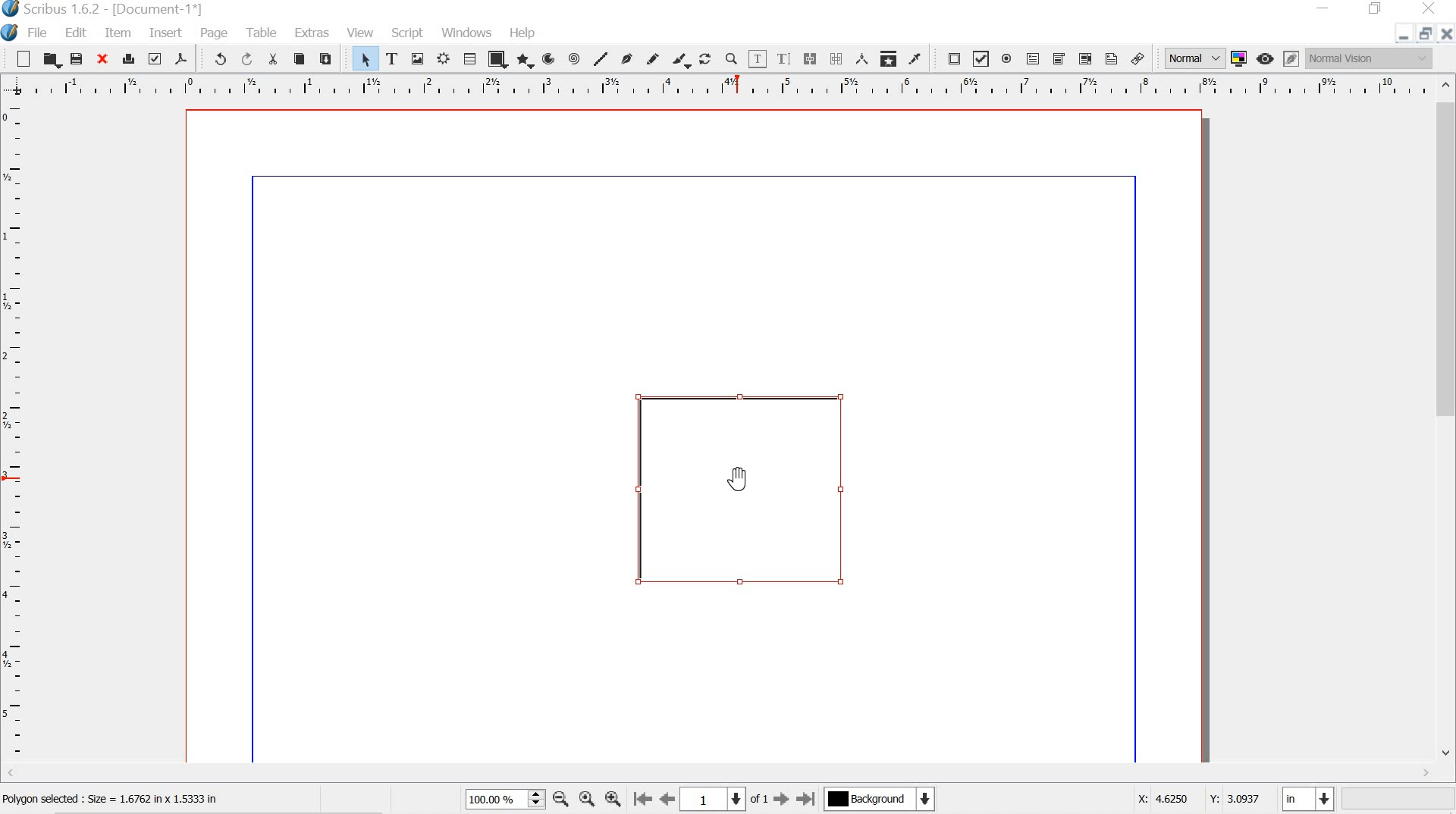 This screenshot has height=814, width=1456. What do you see at coordinates (613, 796) in the screenshot?
I see `zoom in` at bounding box center [613, 796].